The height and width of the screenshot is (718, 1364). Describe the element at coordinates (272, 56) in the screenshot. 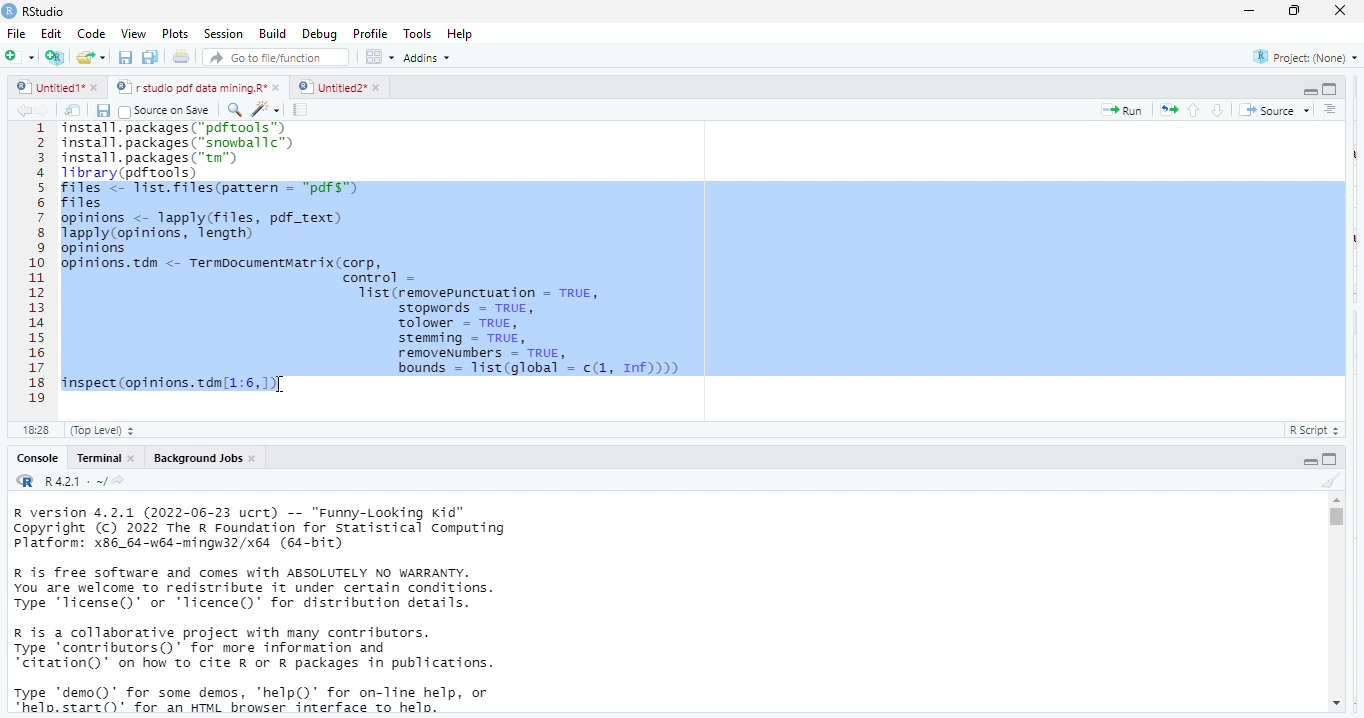

I see `go to file /function` at that location.